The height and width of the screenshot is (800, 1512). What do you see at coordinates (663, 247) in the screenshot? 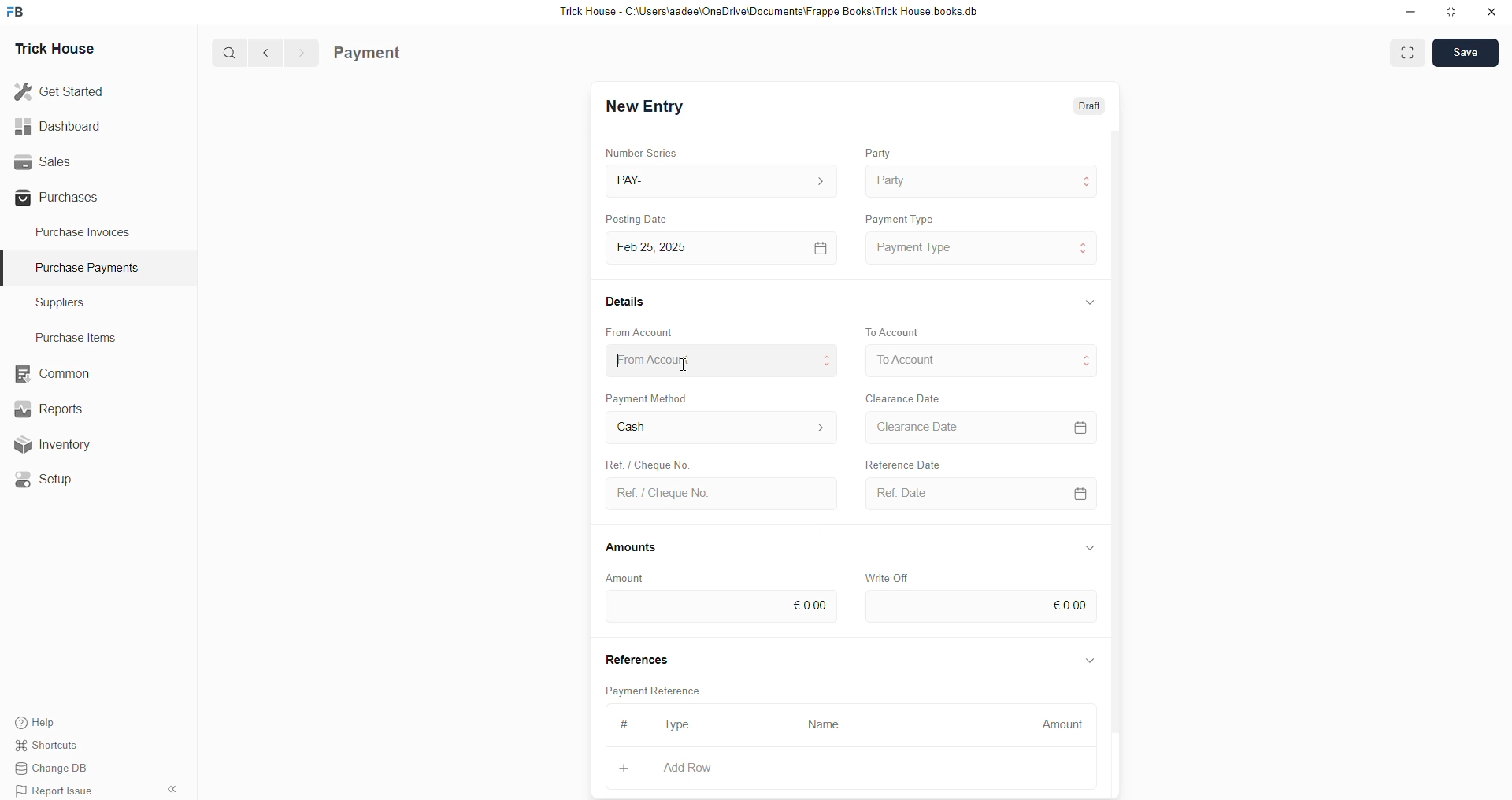
I see `Feb 25, 2025` at bounding box center [663, 247].